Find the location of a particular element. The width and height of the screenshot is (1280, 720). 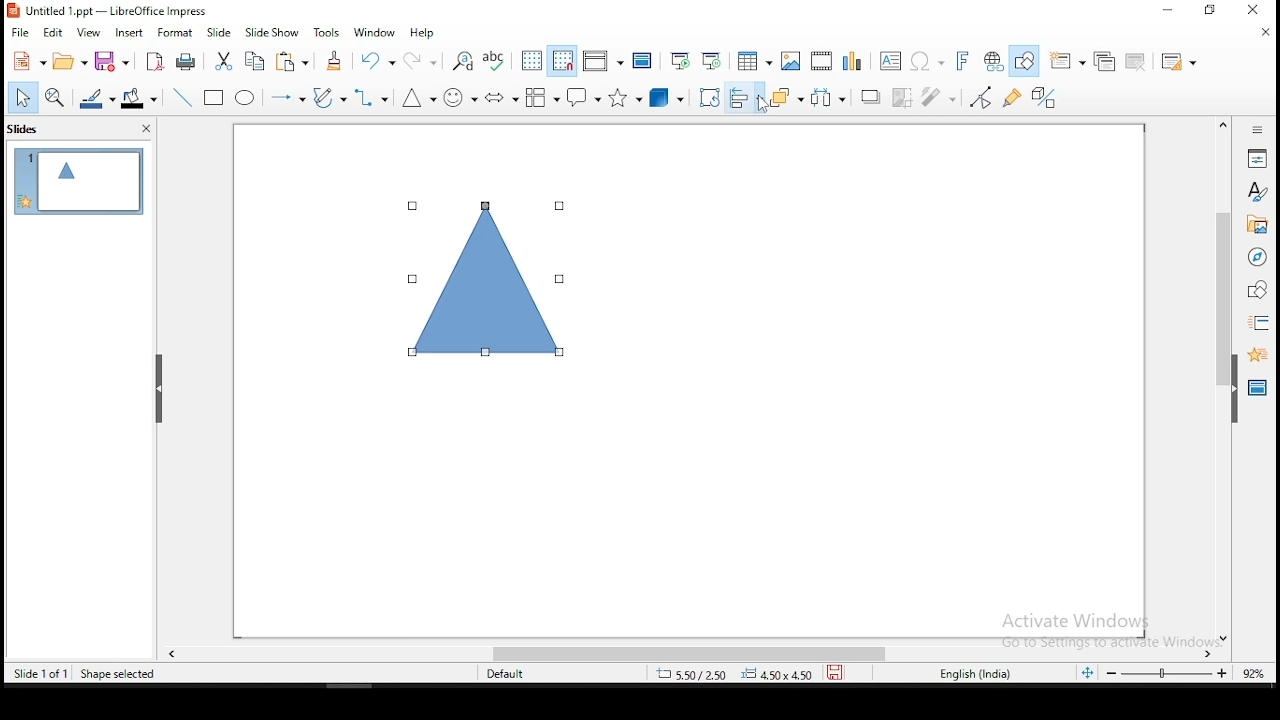

cut is located at coordinates (225, 62).